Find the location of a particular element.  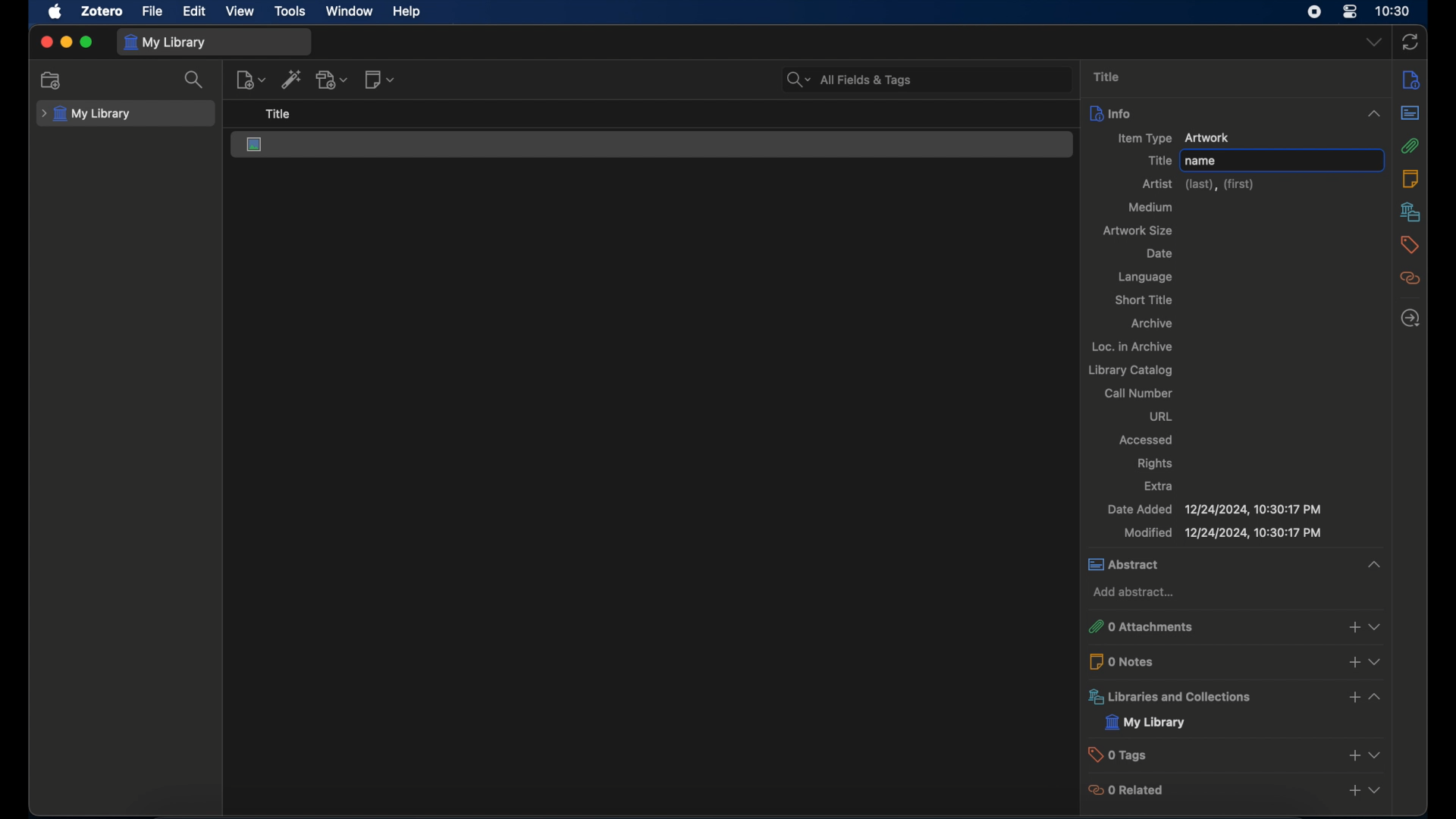

maximize is located at coordinates (86, 42).